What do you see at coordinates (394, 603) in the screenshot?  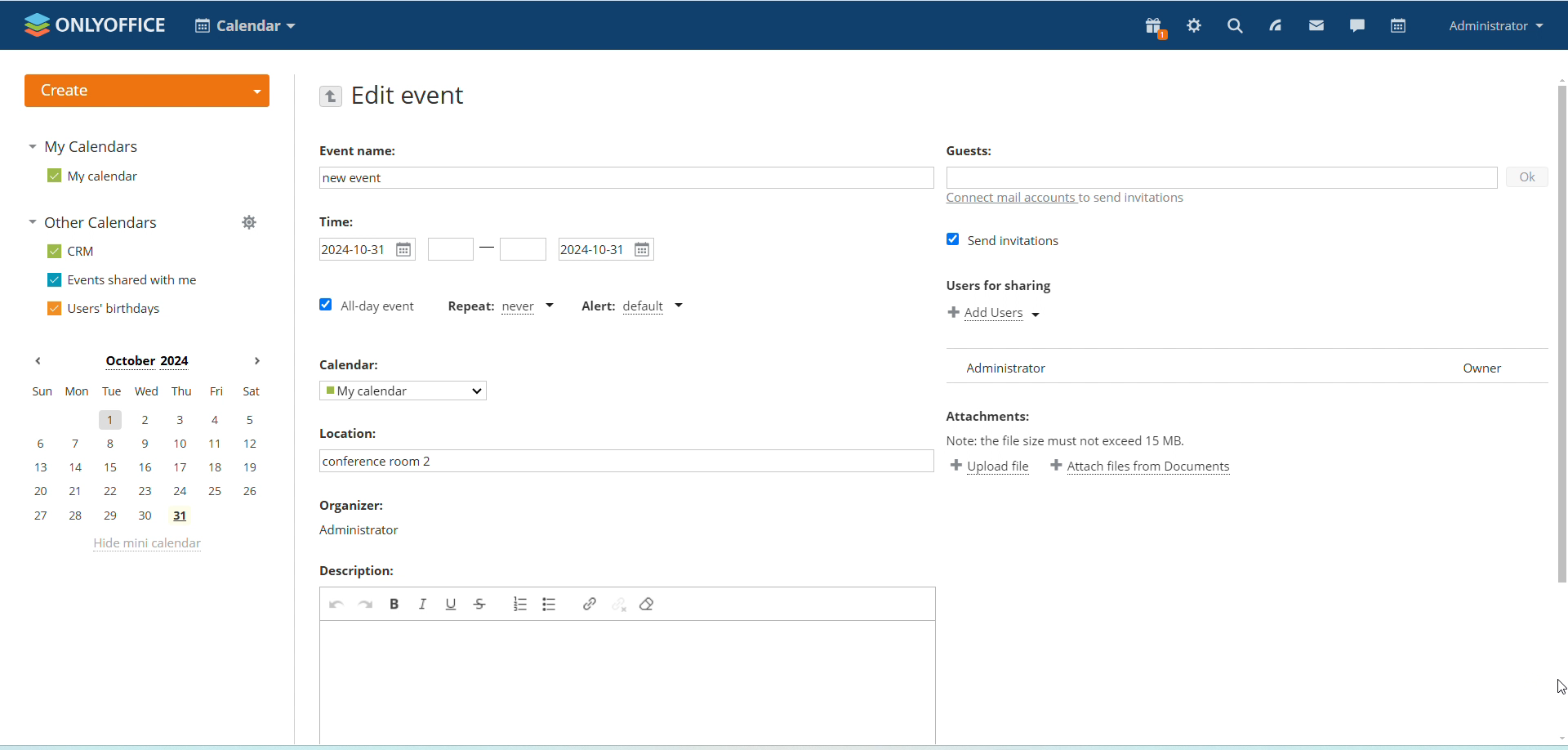 I see `bold` at bounding box center [394, 603].